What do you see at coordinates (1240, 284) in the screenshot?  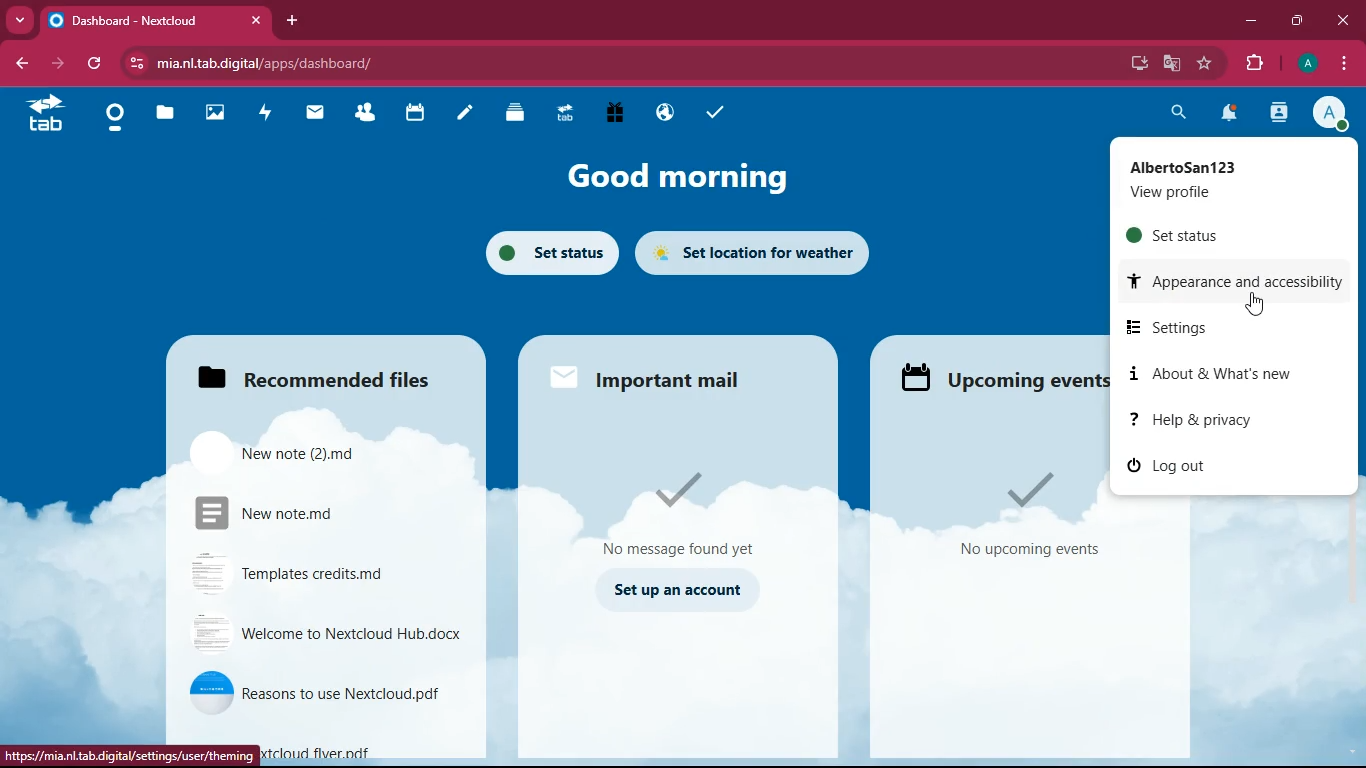 I see `appearance` at bounding box center [1240, 284].